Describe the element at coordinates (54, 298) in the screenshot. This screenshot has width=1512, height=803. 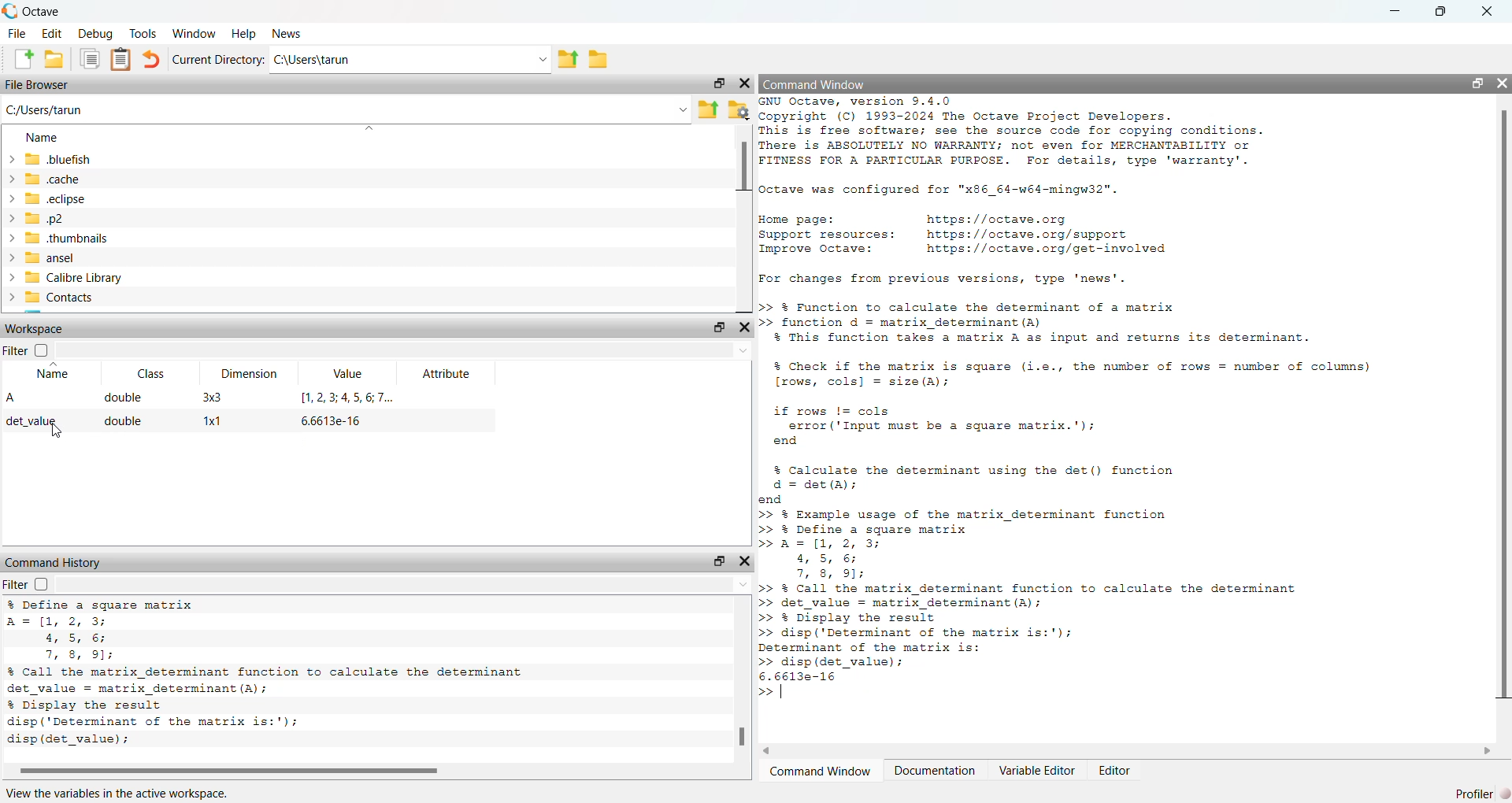
I see `contacts` at that location.